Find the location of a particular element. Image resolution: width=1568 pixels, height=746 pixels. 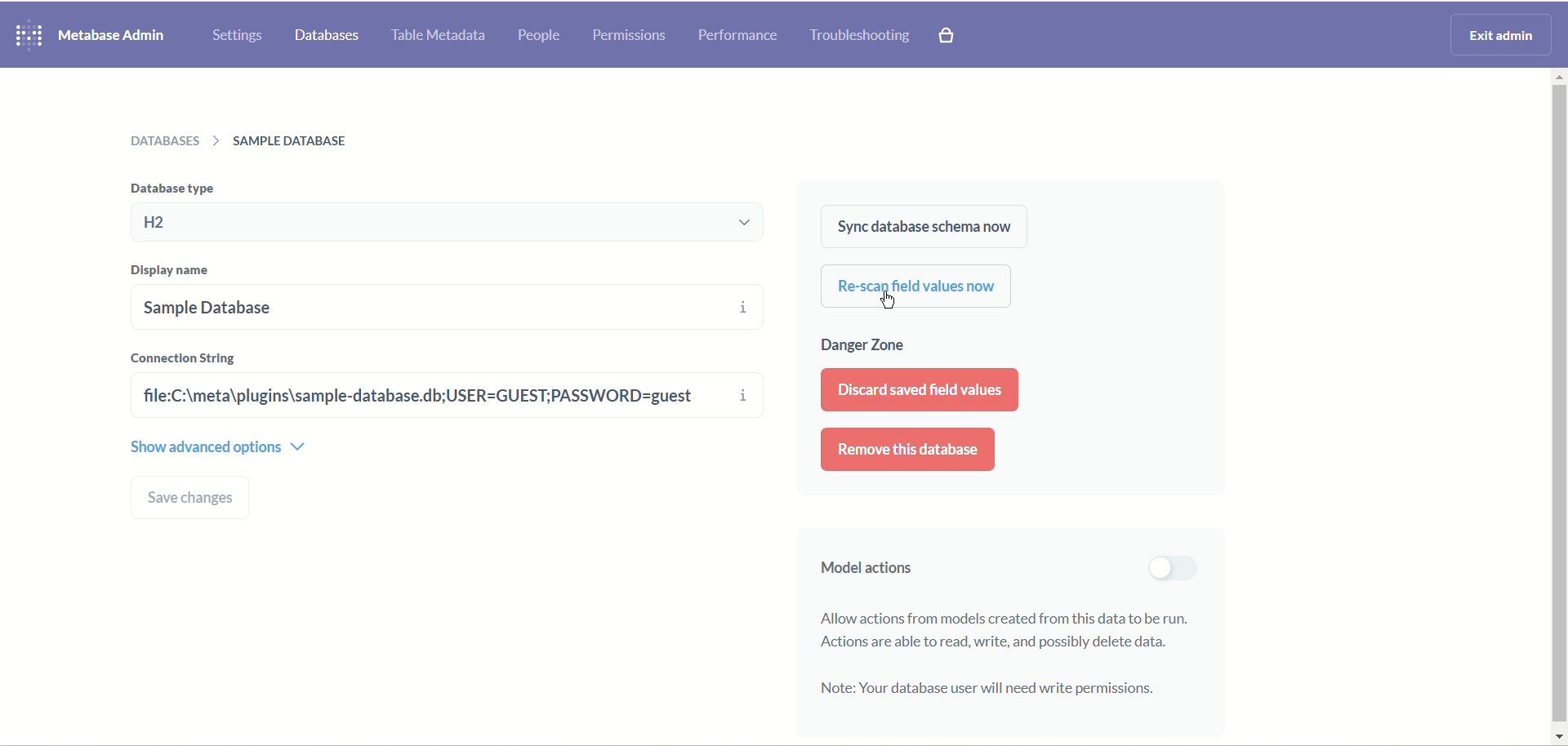

troubleshooting is located at coordinates (860, 37).